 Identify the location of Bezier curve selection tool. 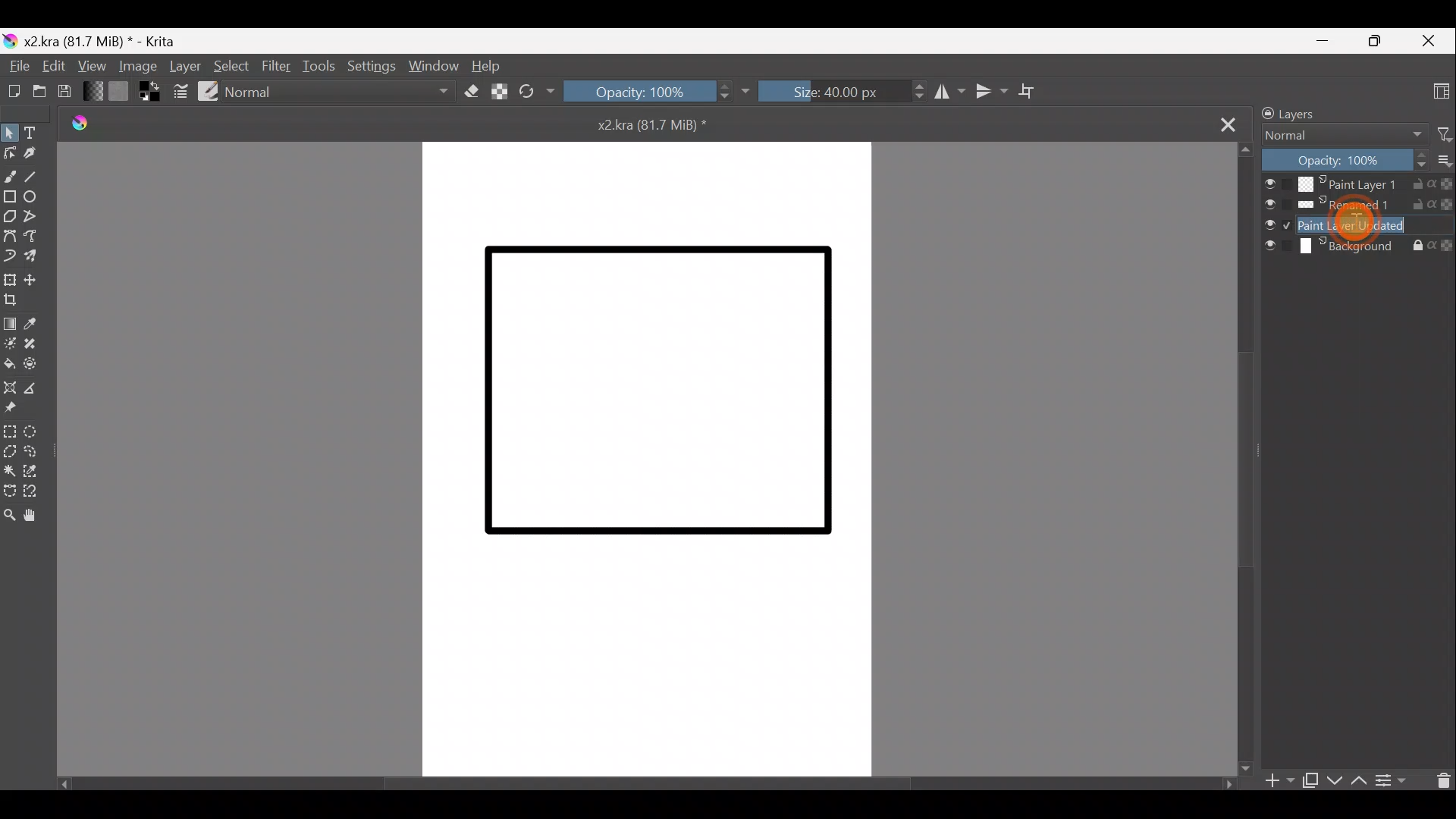
(9, 488).